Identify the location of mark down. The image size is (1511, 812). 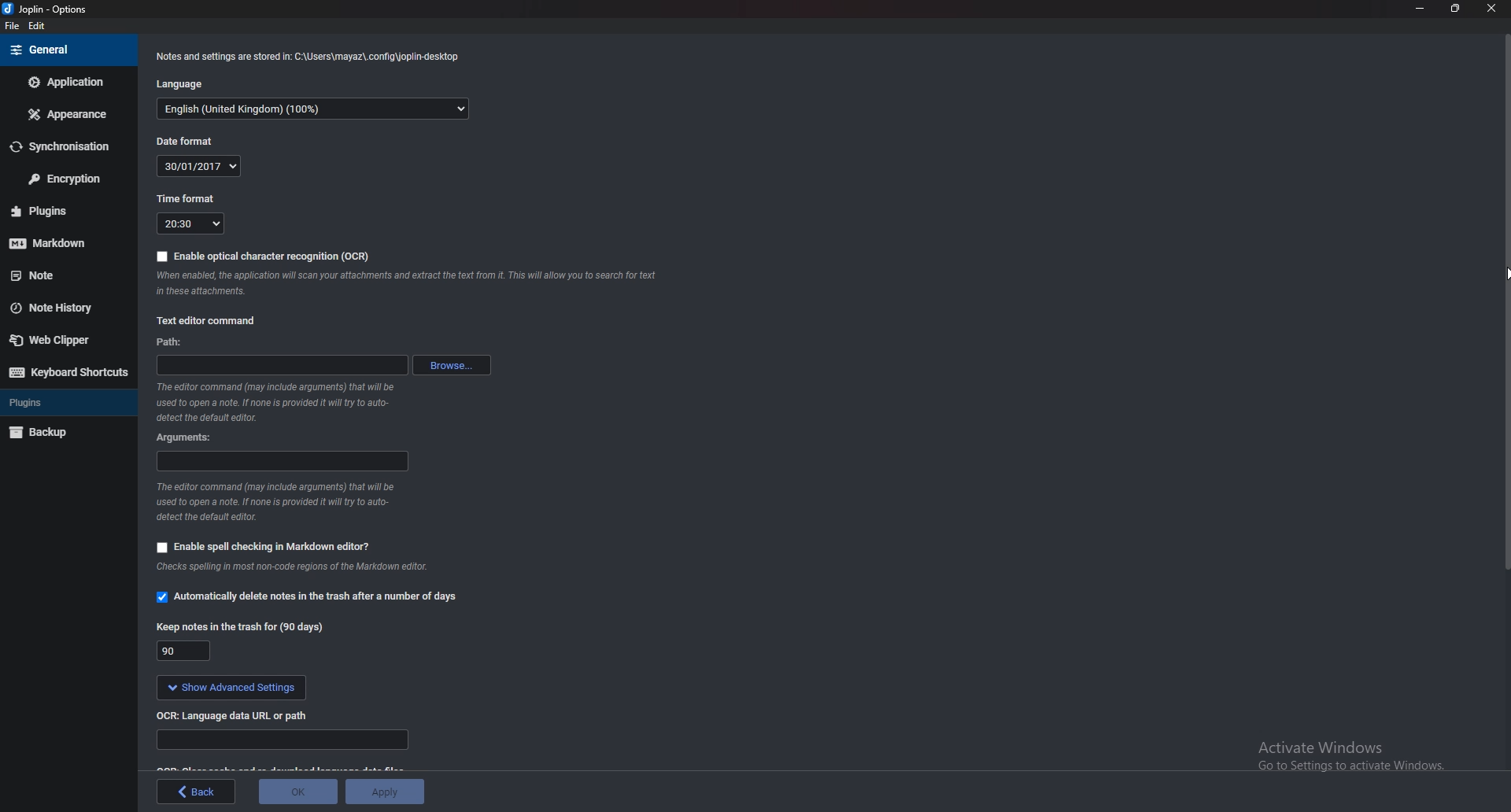
(53, 244).